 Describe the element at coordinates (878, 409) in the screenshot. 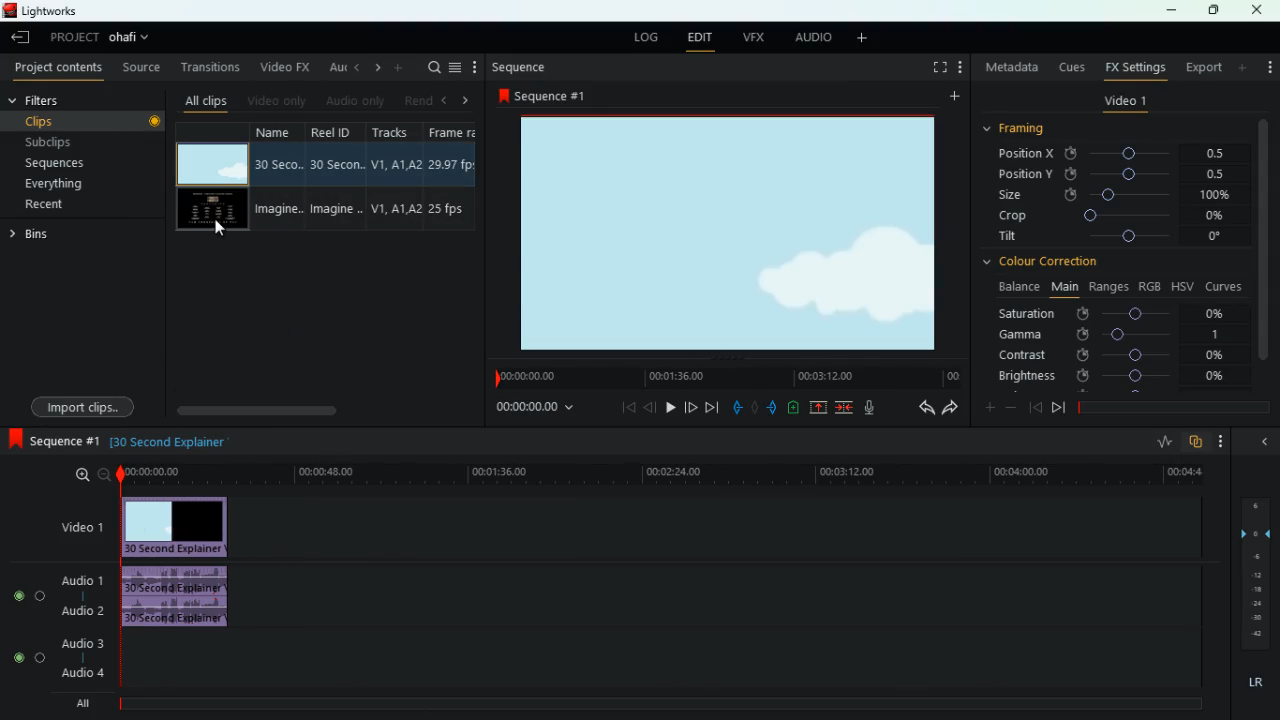

I see `mic` at that location.